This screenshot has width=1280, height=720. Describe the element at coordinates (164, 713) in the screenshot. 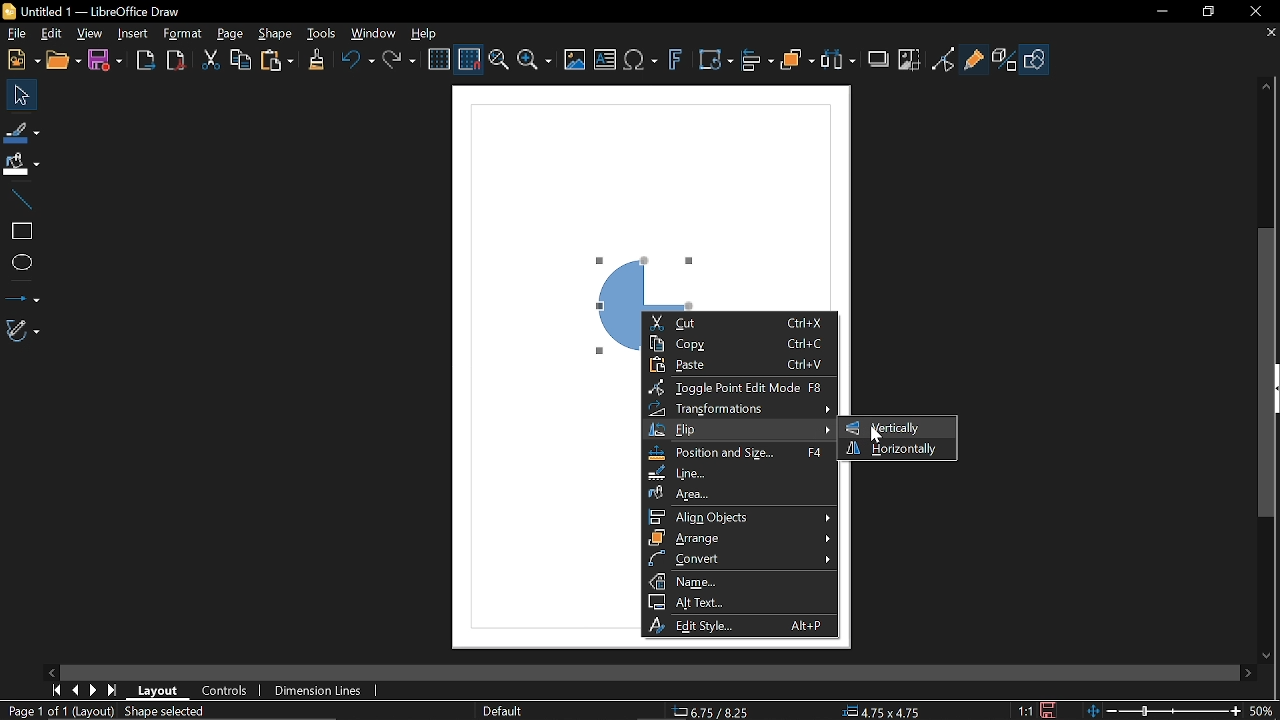

I see `shape selected` at that location.